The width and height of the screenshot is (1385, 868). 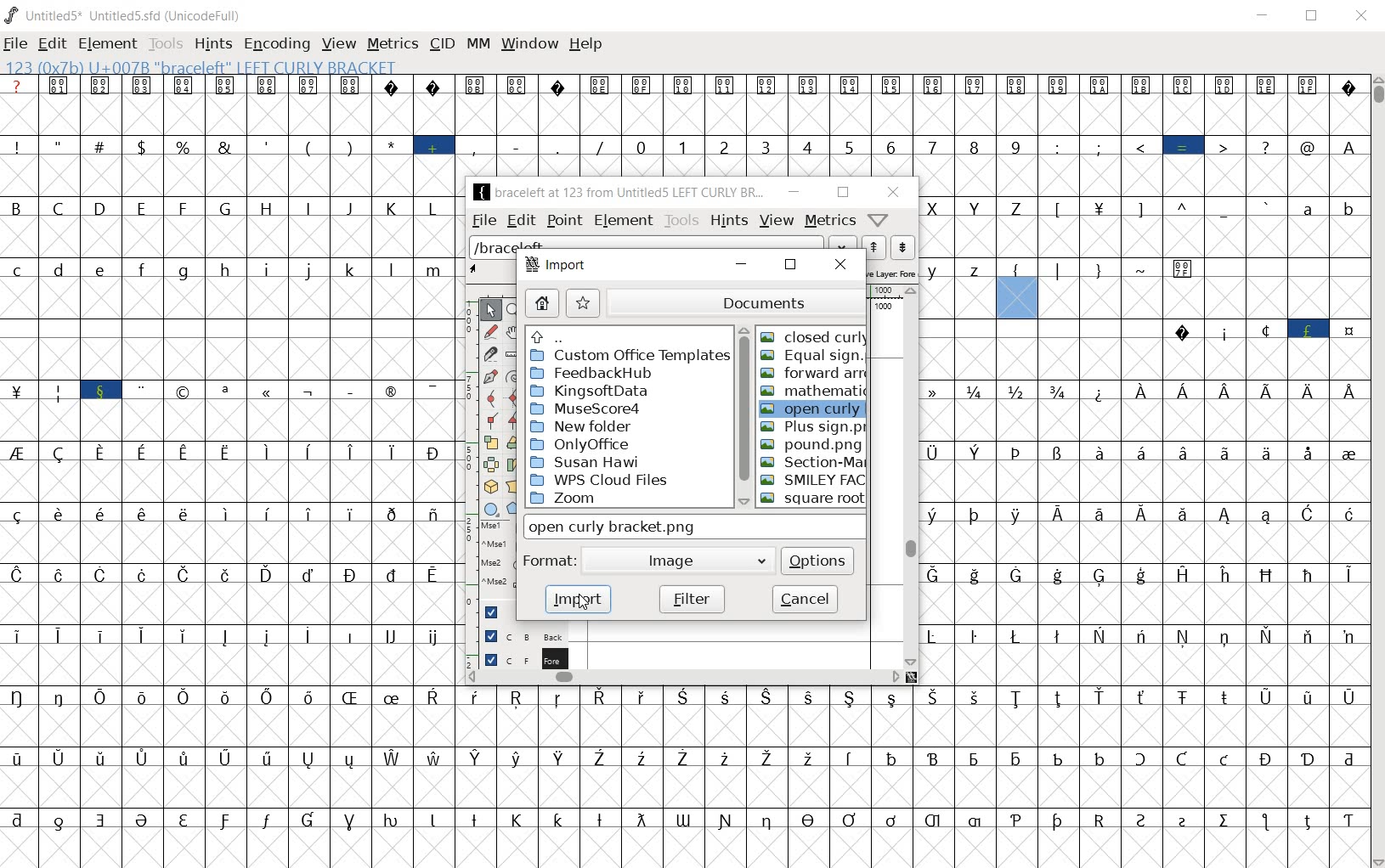 What do you see at coordinates (629, 355) in the screenshot?
I see `Custom Office Template` at bounding box center [629, 355].